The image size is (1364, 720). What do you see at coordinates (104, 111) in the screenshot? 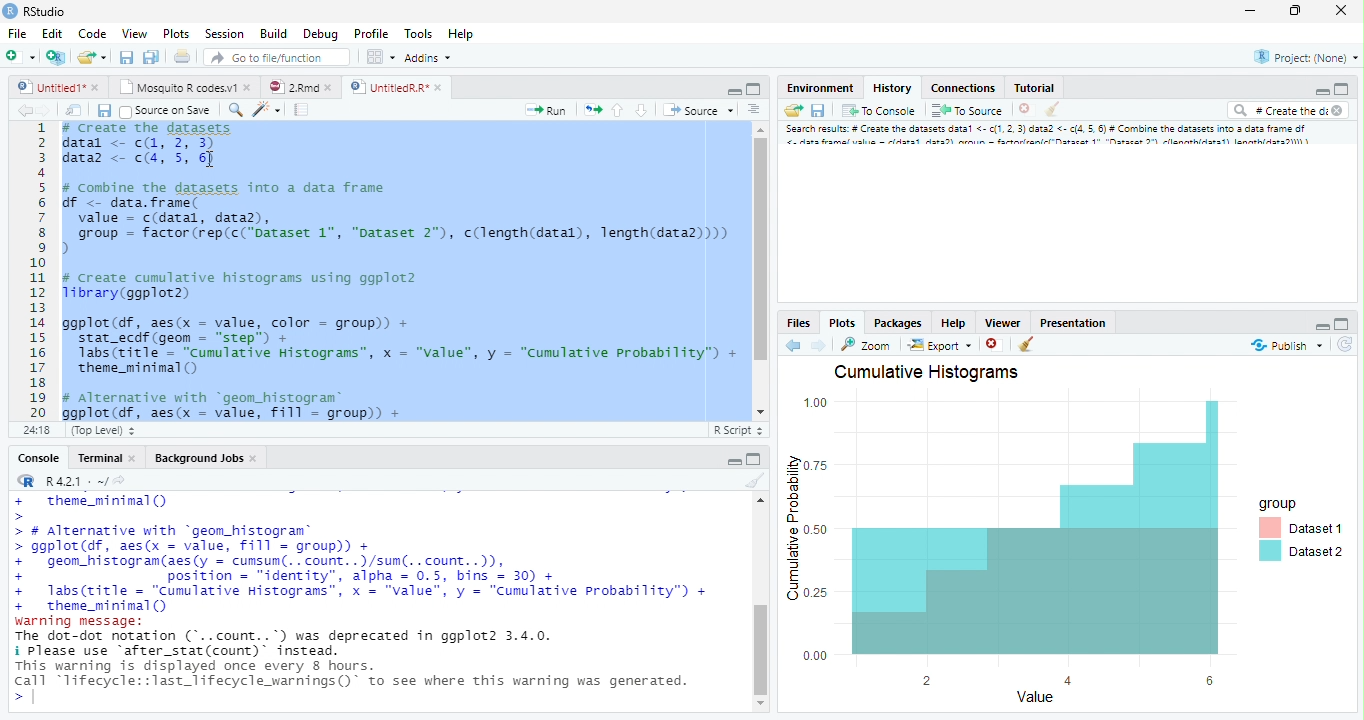
I see `Save` at bounding box center [104, 111].